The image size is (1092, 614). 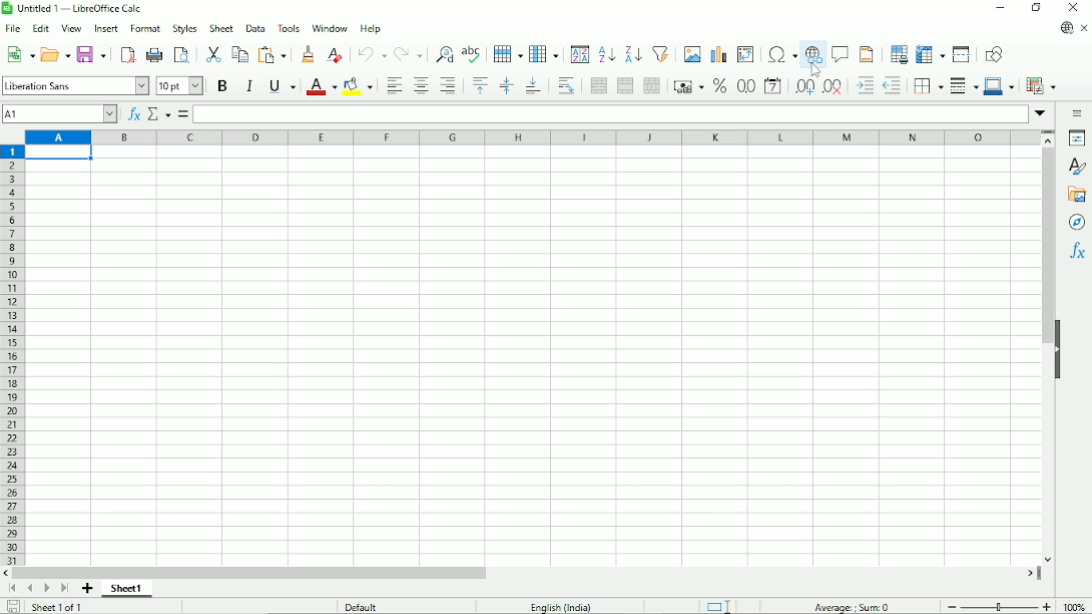 What do you see at coordinates (46, 590) in the screenshot?
I see `Scroll to next sheet` at bounding box center [46, 590].